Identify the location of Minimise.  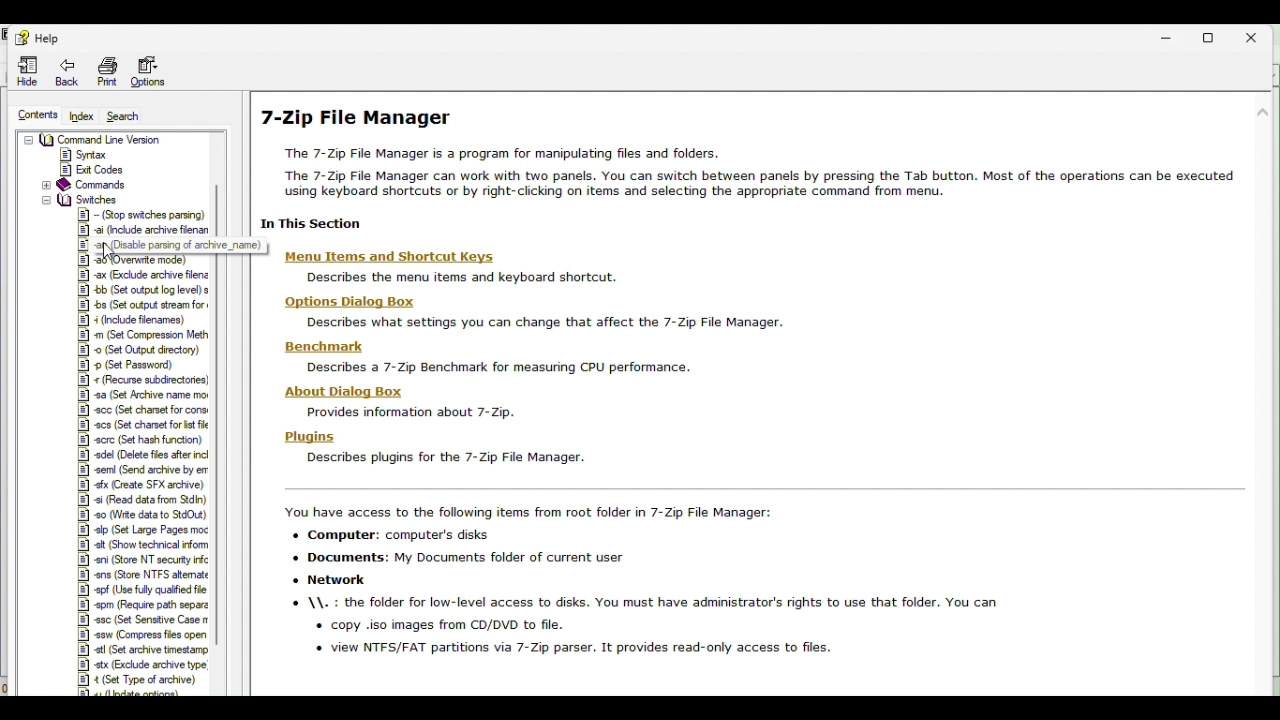
(1174, 38).